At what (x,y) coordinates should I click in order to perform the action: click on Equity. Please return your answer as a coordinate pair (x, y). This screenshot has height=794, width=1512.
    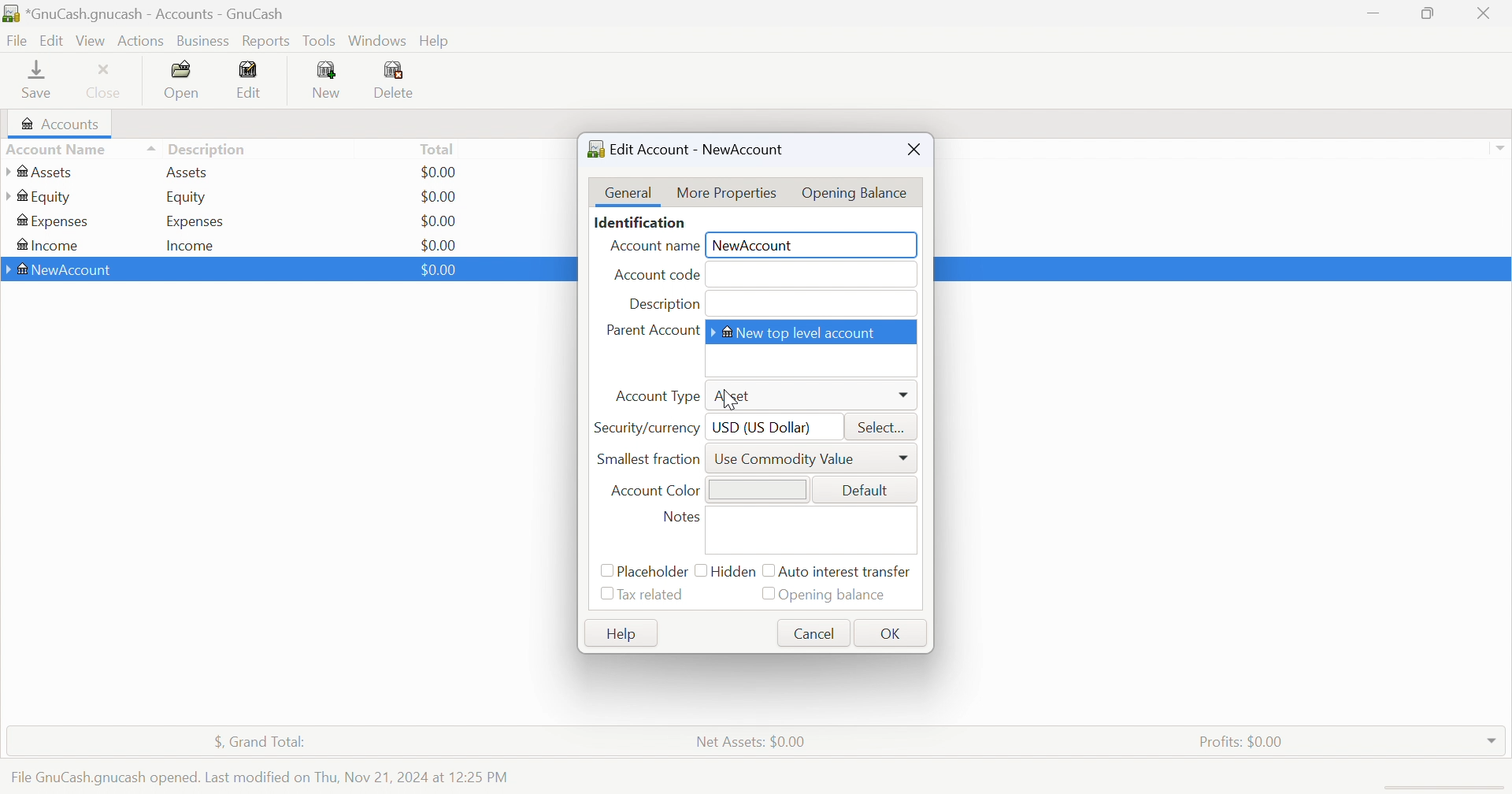
    Looking at the image, I should click on (39, 197).